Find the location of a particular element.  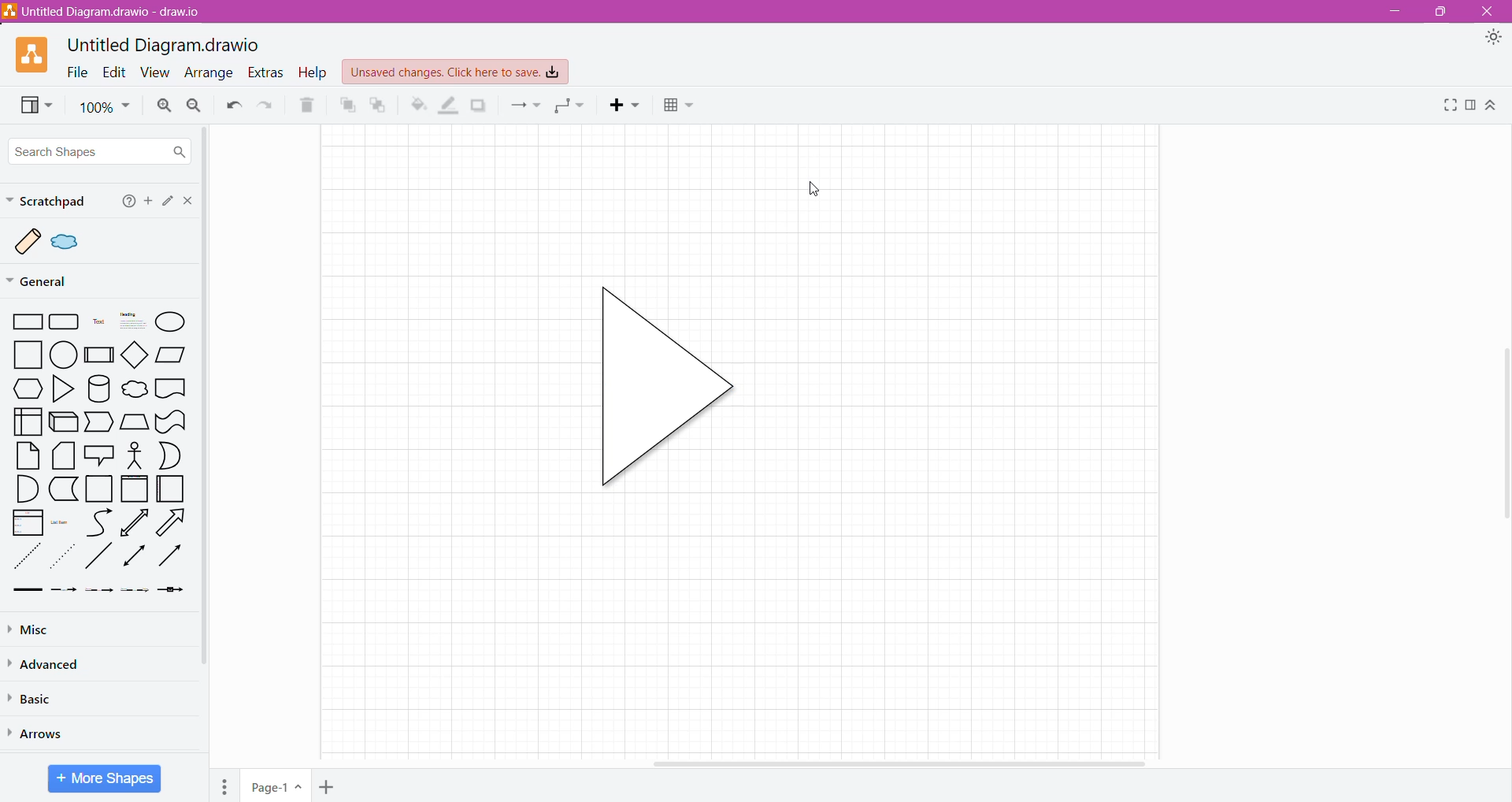

Shadow is located at coordinates (480, 106).